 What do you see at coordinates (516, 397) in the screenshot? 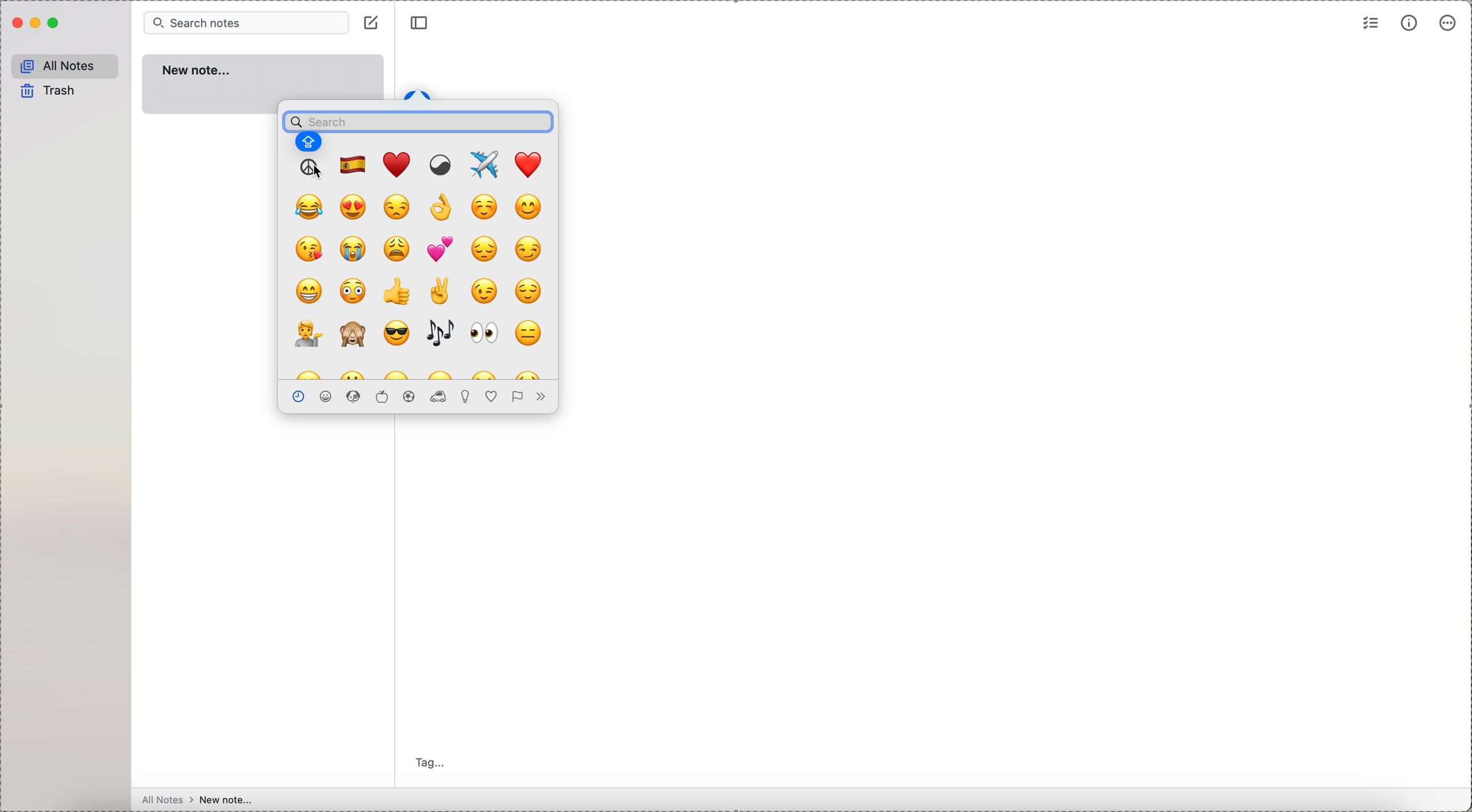
I see `symbols` at bounding box center [516, 397].